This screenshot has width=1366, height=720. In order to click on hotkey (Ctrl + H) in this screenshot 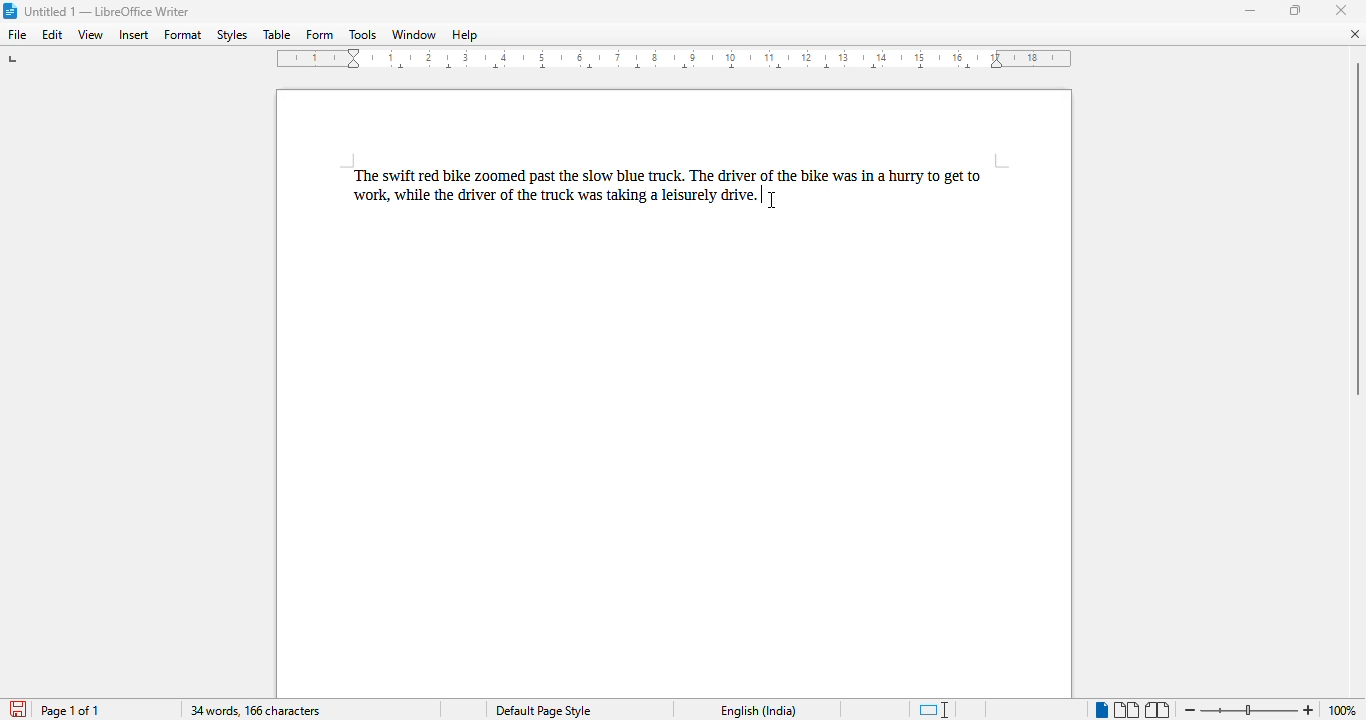, I will do `click(762, 194)`.